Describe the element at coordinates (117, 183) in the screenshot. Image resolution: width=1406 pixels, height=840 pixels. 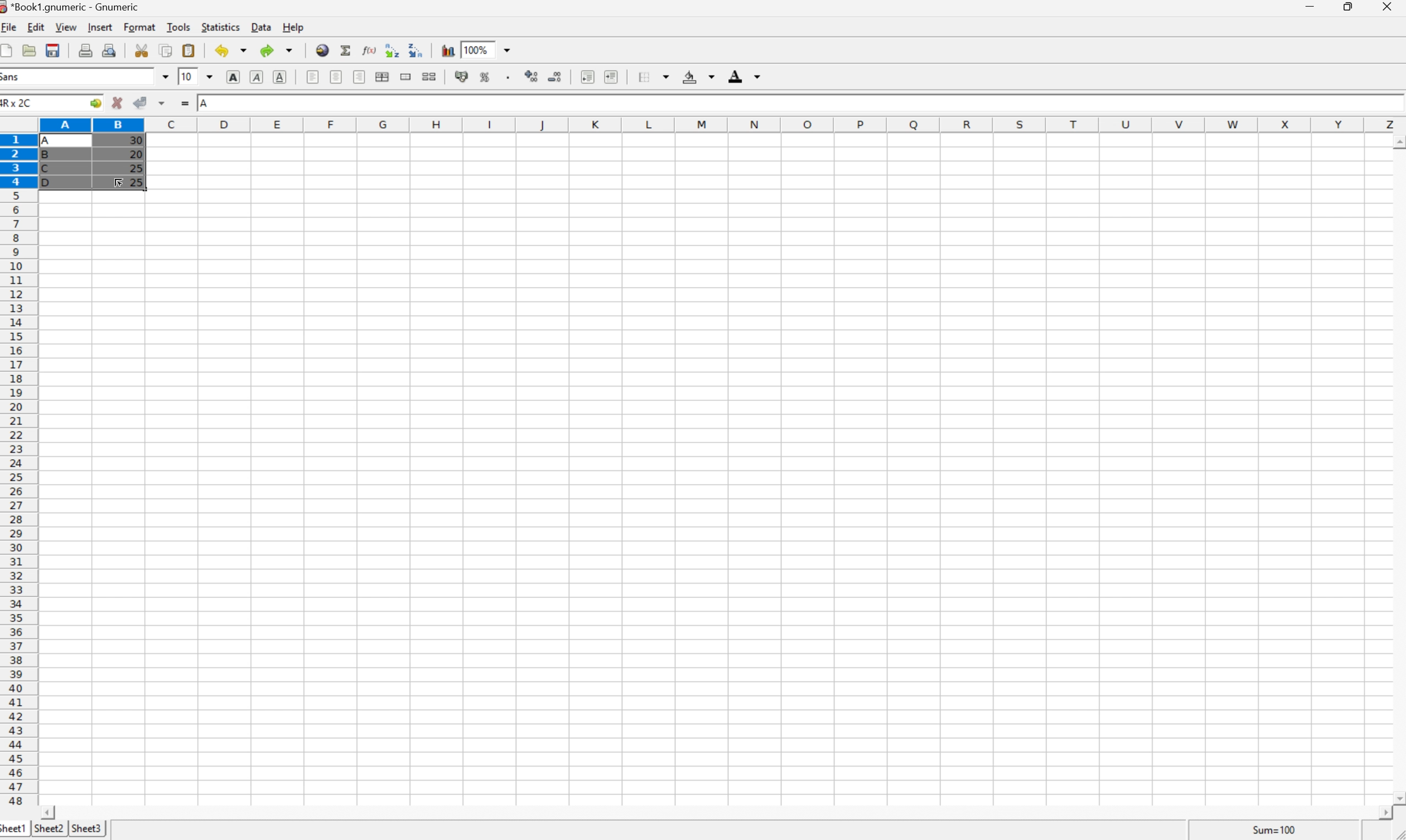
I see `Cursor` at that location.